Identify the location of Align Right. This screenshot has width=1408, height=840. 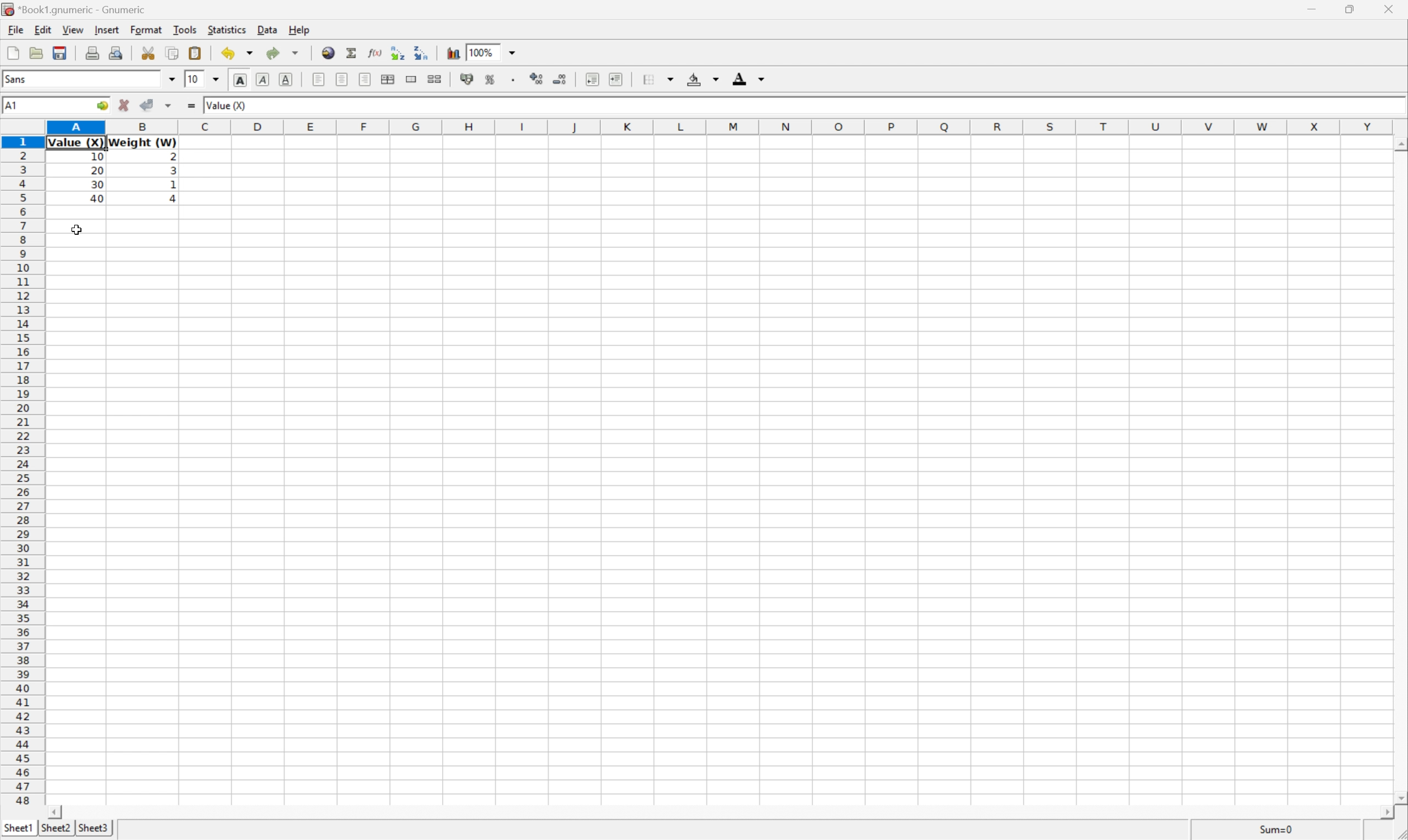
(366, 79).